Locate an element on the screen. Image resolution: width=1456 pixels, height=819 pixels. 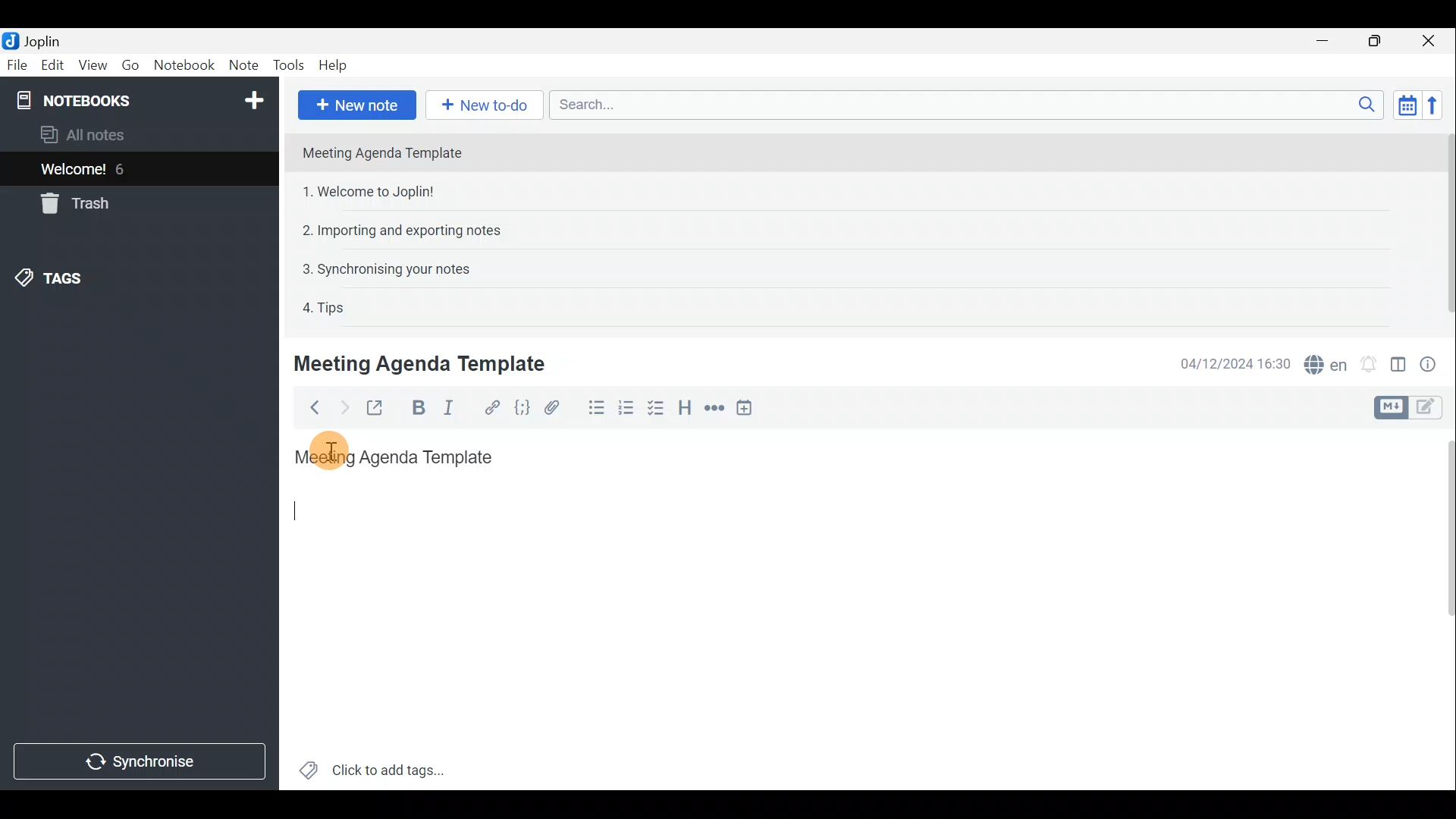
All notes is located at coordinates (108, 134).